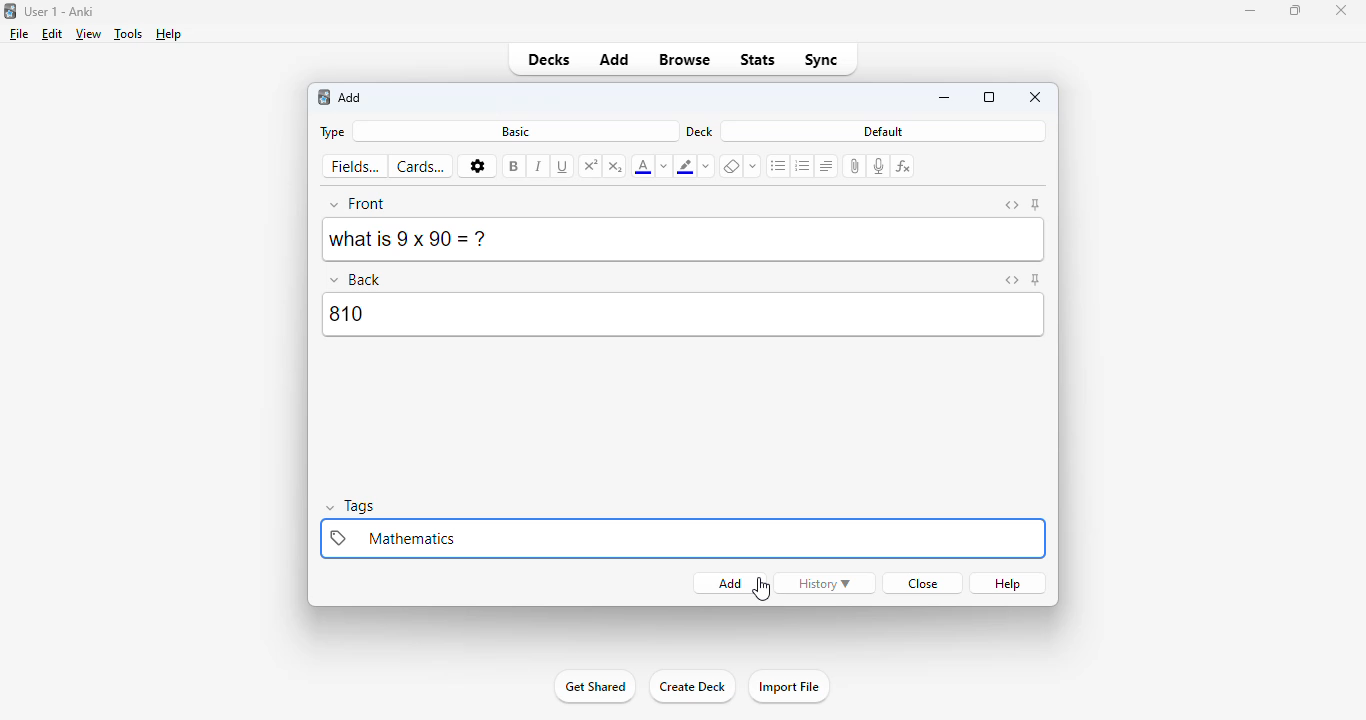 This screenshot has height=720, width=1366. What do you see at coordinates (732, 166) in the screenshot?
I see `remove formatting` at bounding box center [732, 166].